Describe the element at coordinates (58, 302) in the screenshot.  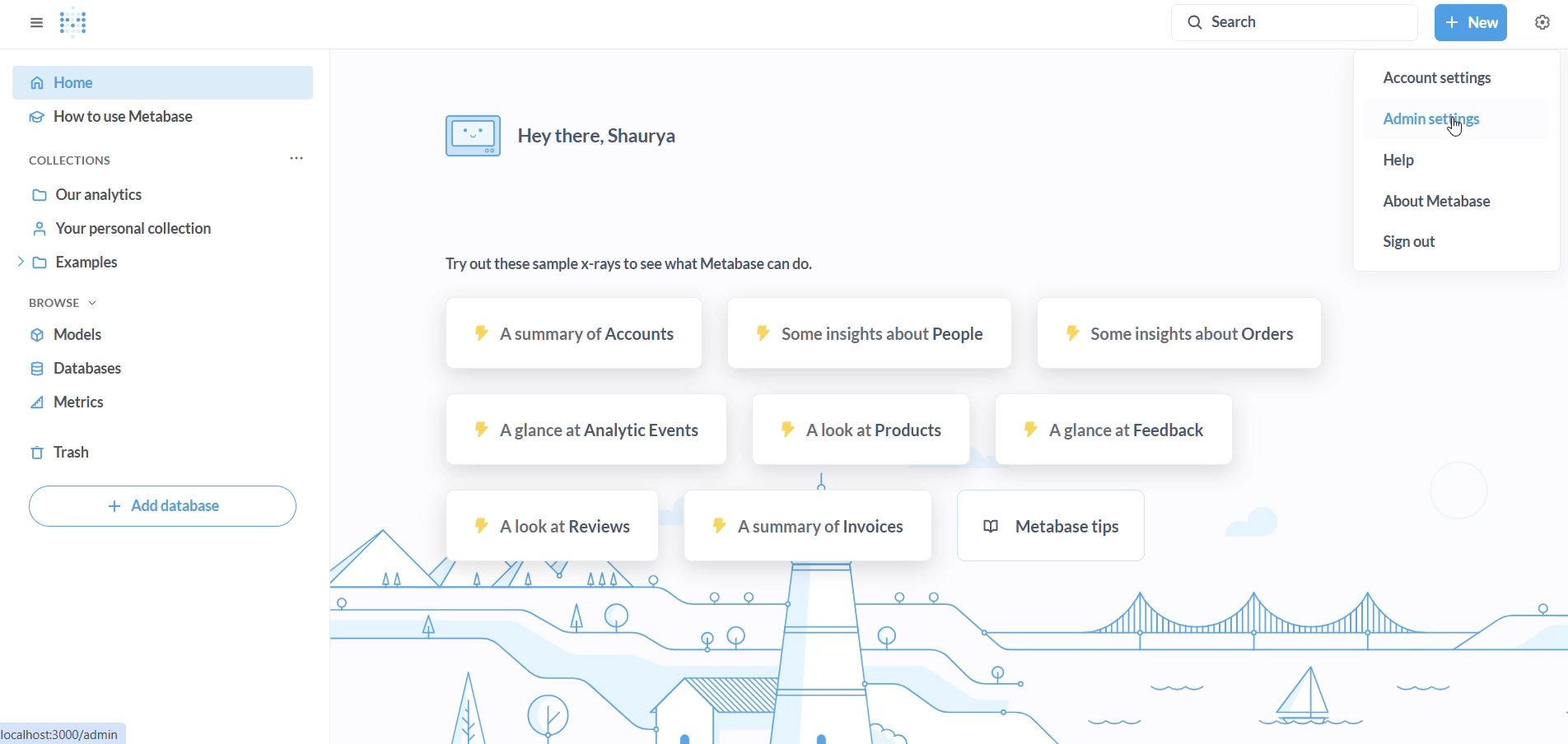
I see `BROWSE v` at that location.